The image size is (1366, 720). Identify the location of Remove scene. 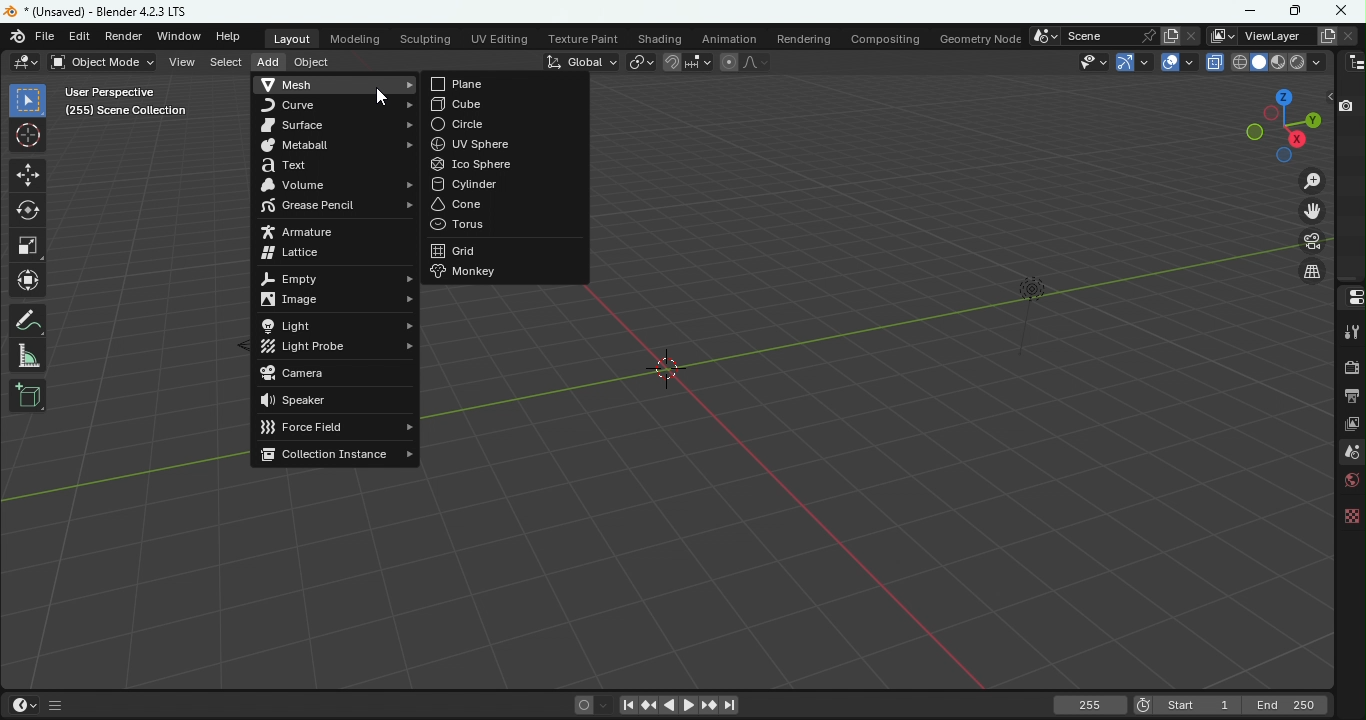
(1191, 36).